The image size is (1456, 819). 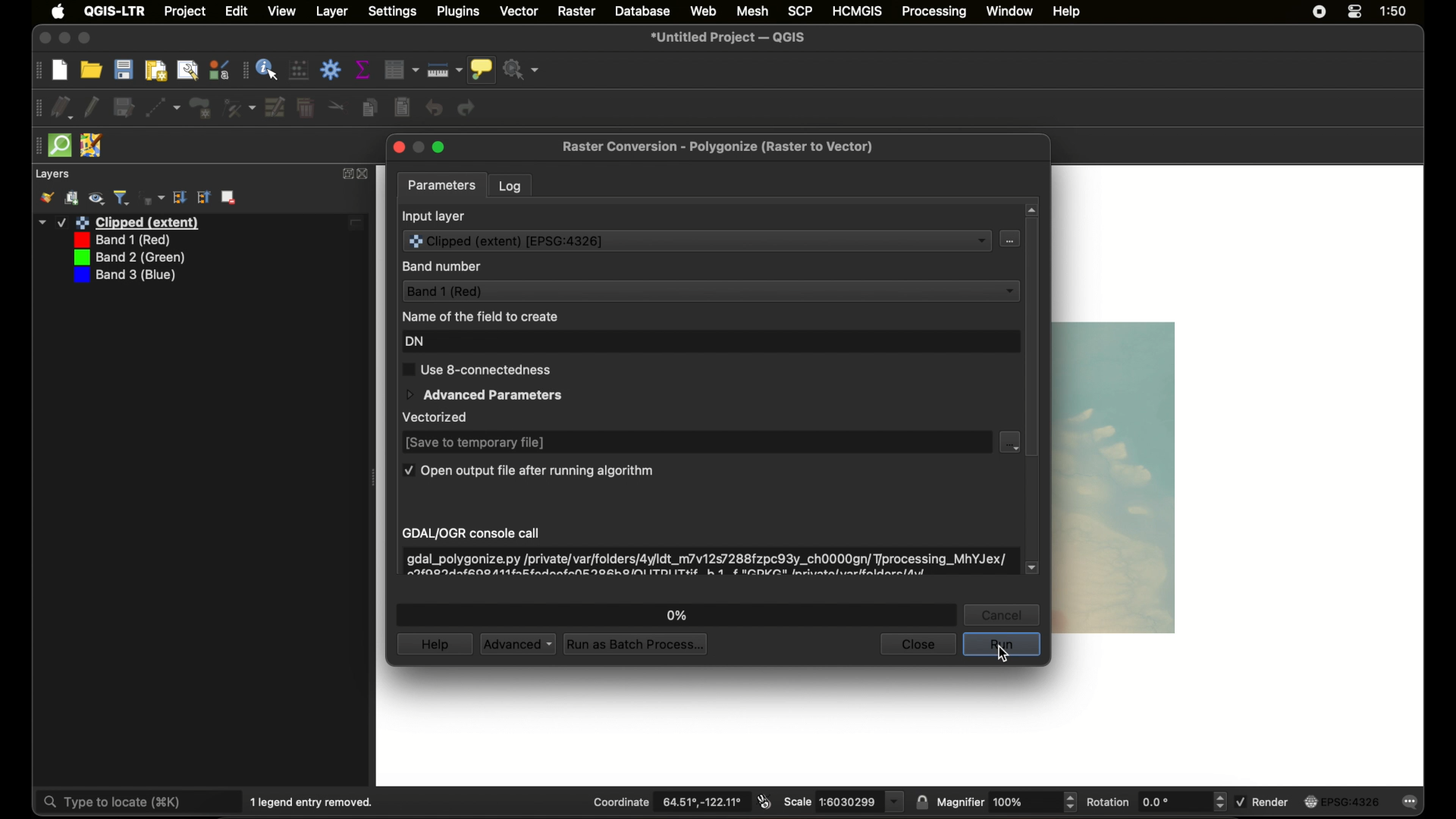 What do you see at coordinates (434, 217) in the screenshot?
I see `input layer` at bounding box center [434, 217].